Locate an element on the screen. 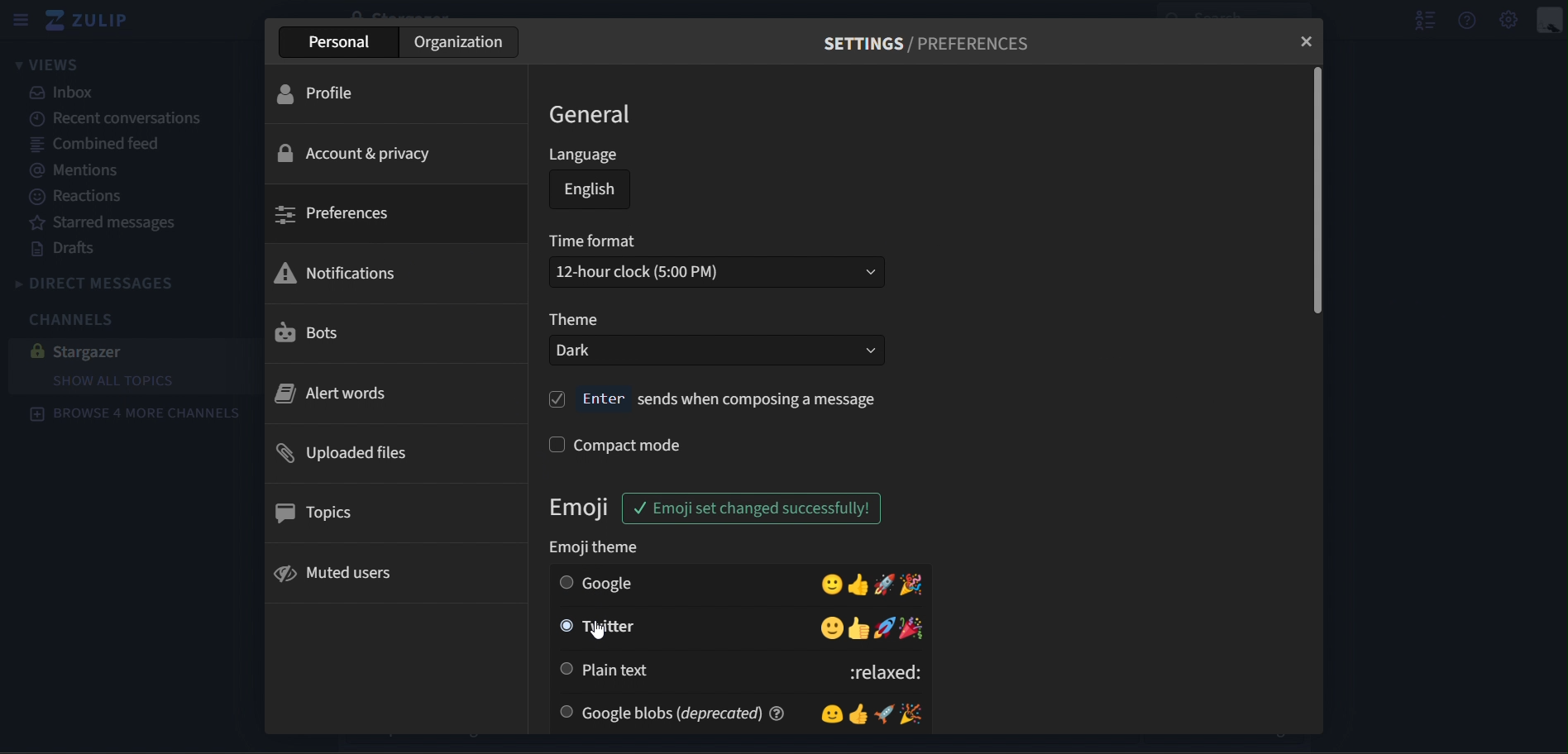 The image size is (1568, 754). language is located at coordinates (585, 156).